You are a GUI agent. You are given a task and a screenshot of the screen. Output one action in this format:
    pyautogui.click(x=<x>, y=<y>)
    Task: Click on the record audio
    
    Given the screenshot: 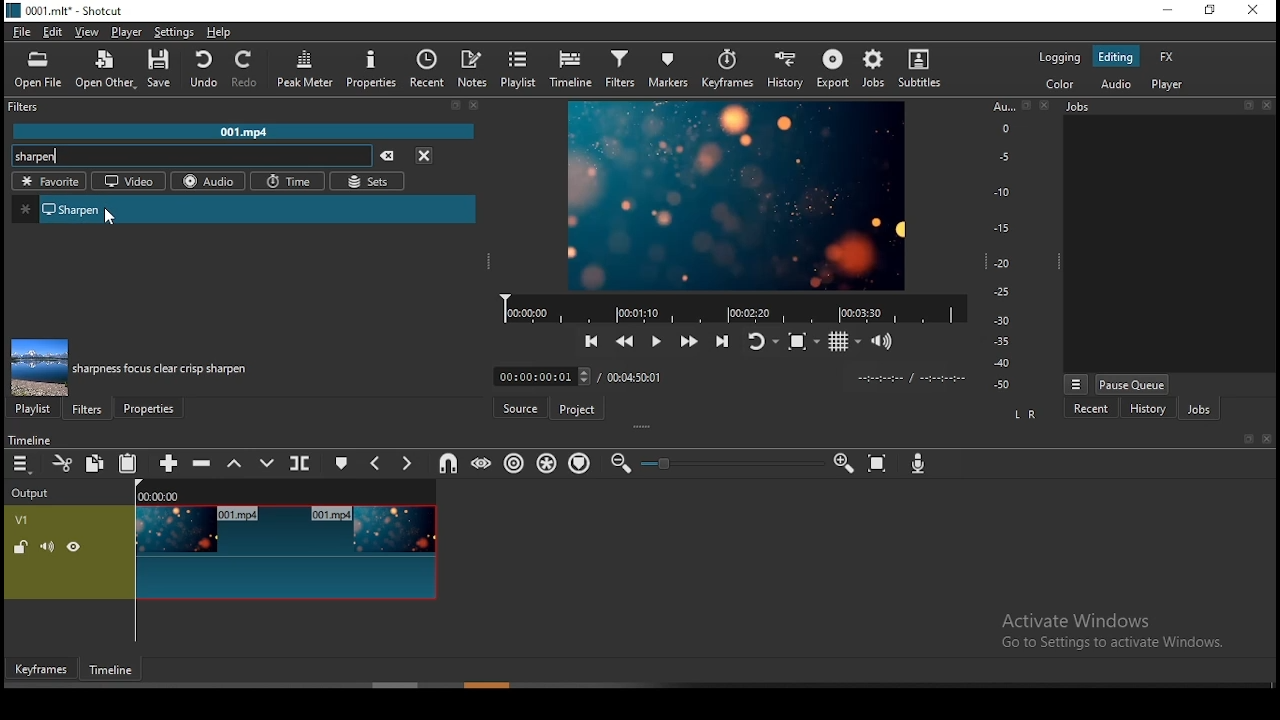 What is the action you would take?
    pyautogui.click(x=918, y=463)
    